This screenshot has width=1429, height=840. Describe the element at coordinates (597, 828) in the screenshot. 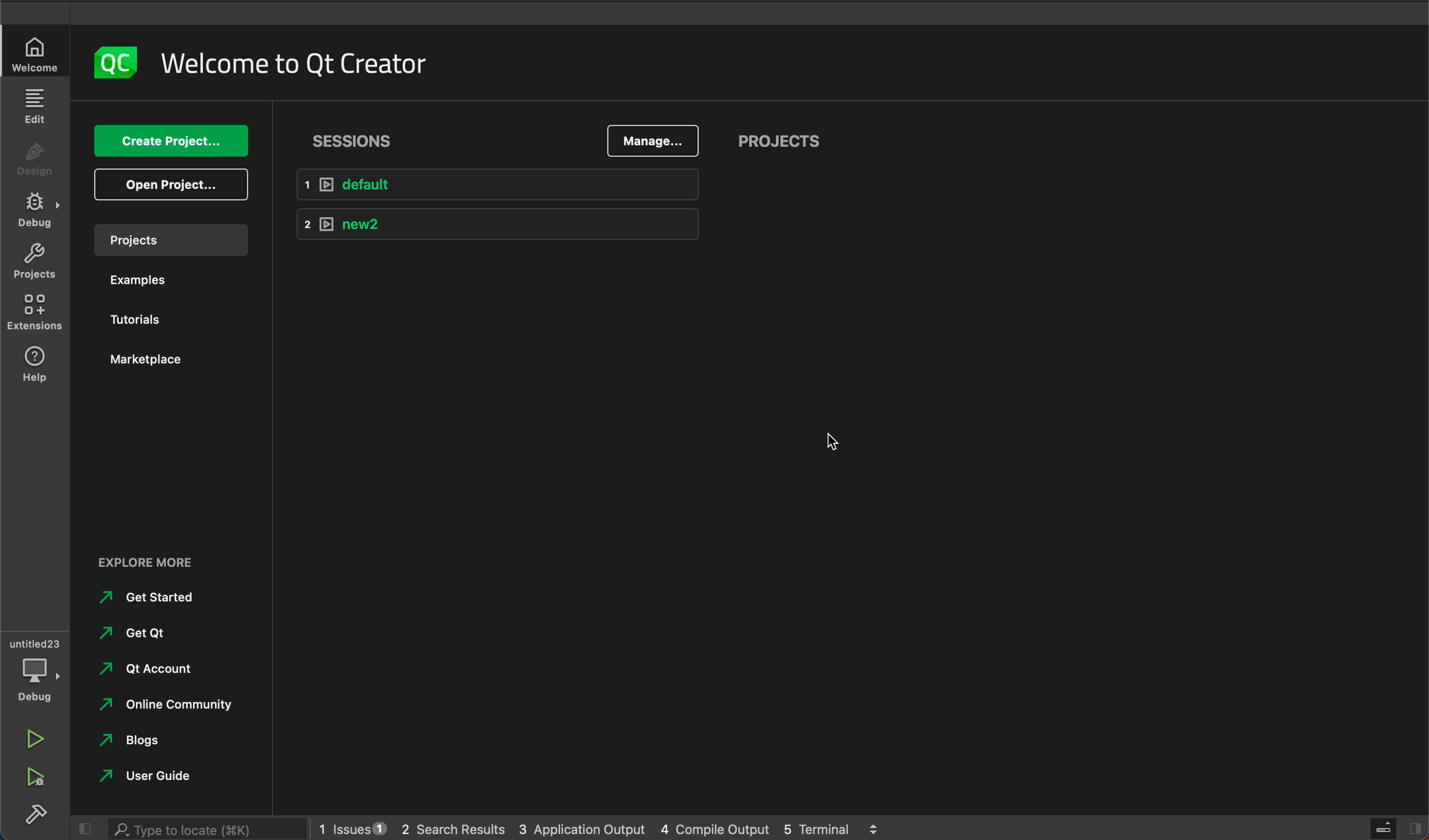

I see `logs` at that location.